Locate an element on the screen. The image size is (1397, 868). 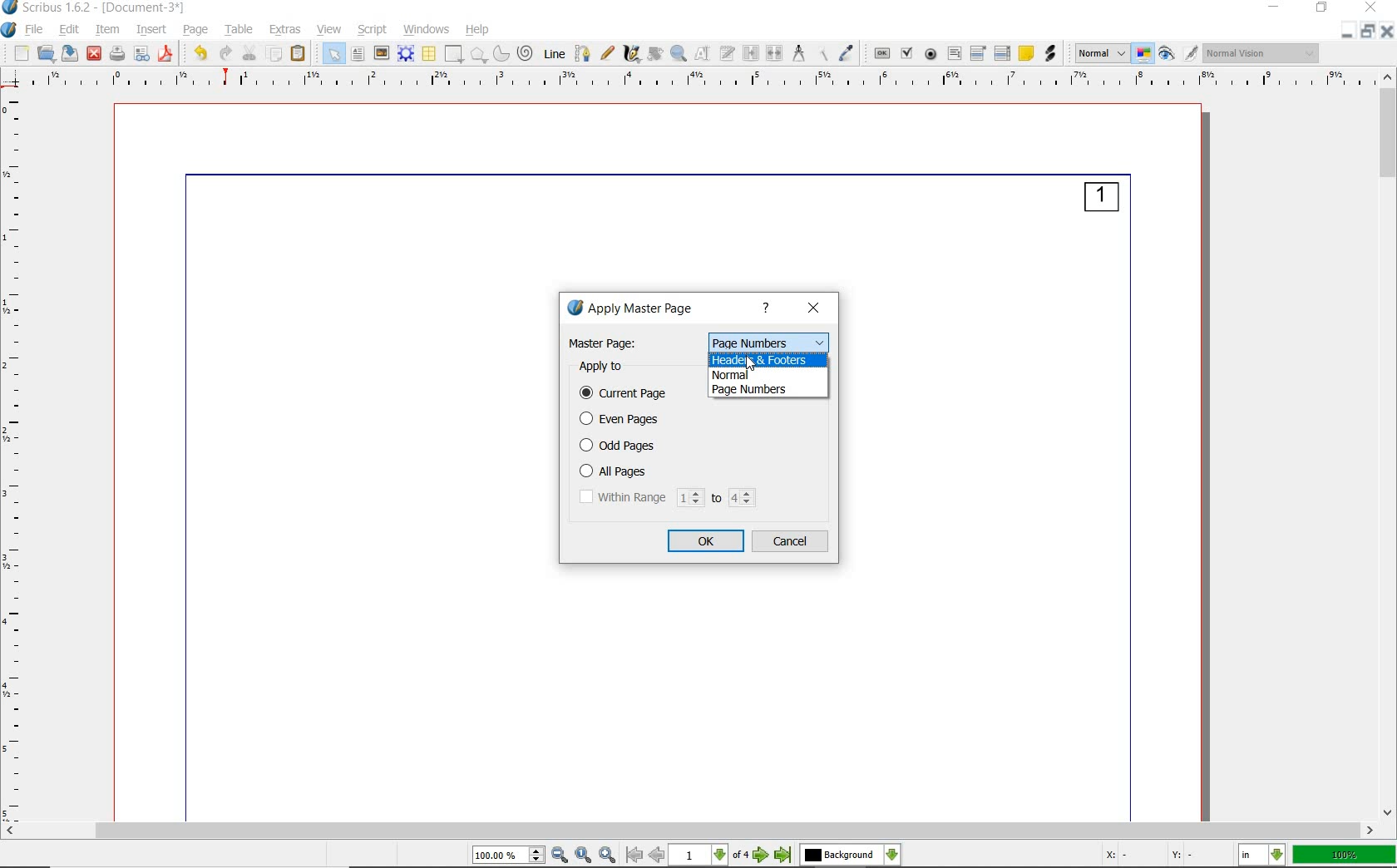
text frame is located at coordinates (357, 54).